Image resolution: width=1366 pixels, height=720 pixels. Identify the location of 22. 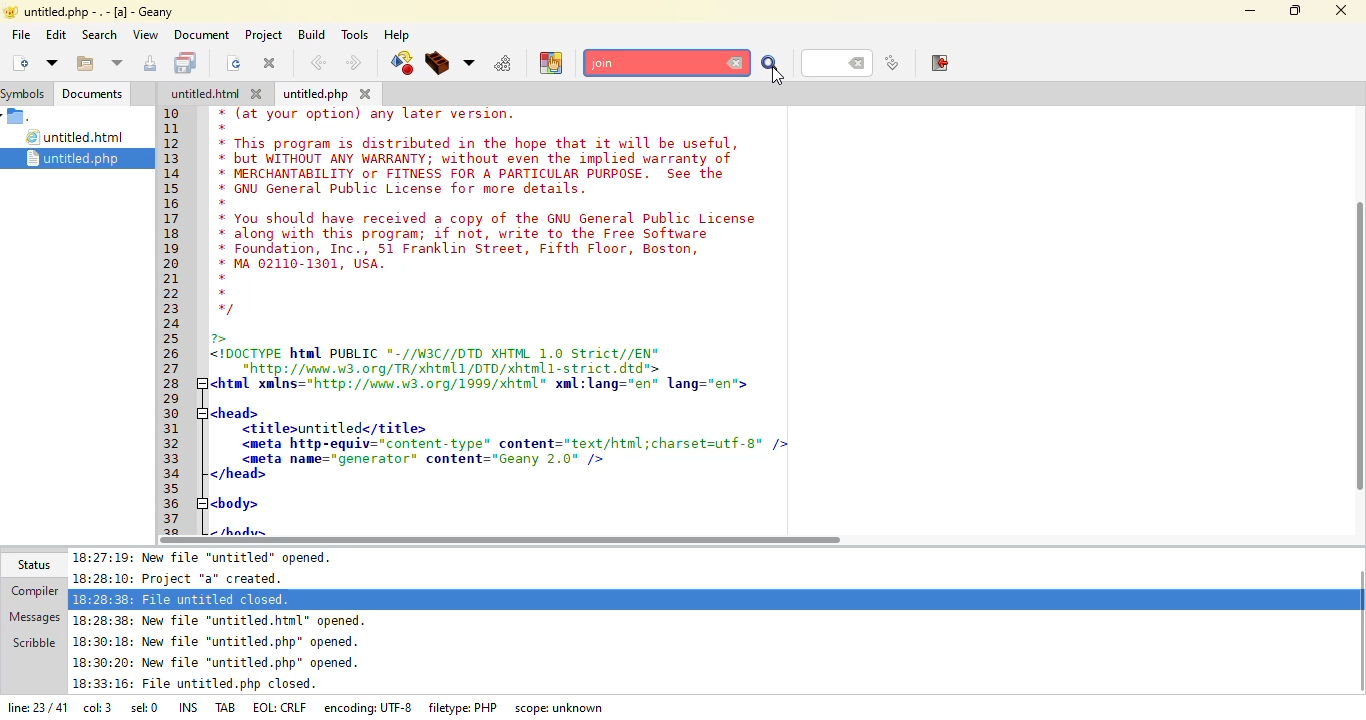
(172, 295).